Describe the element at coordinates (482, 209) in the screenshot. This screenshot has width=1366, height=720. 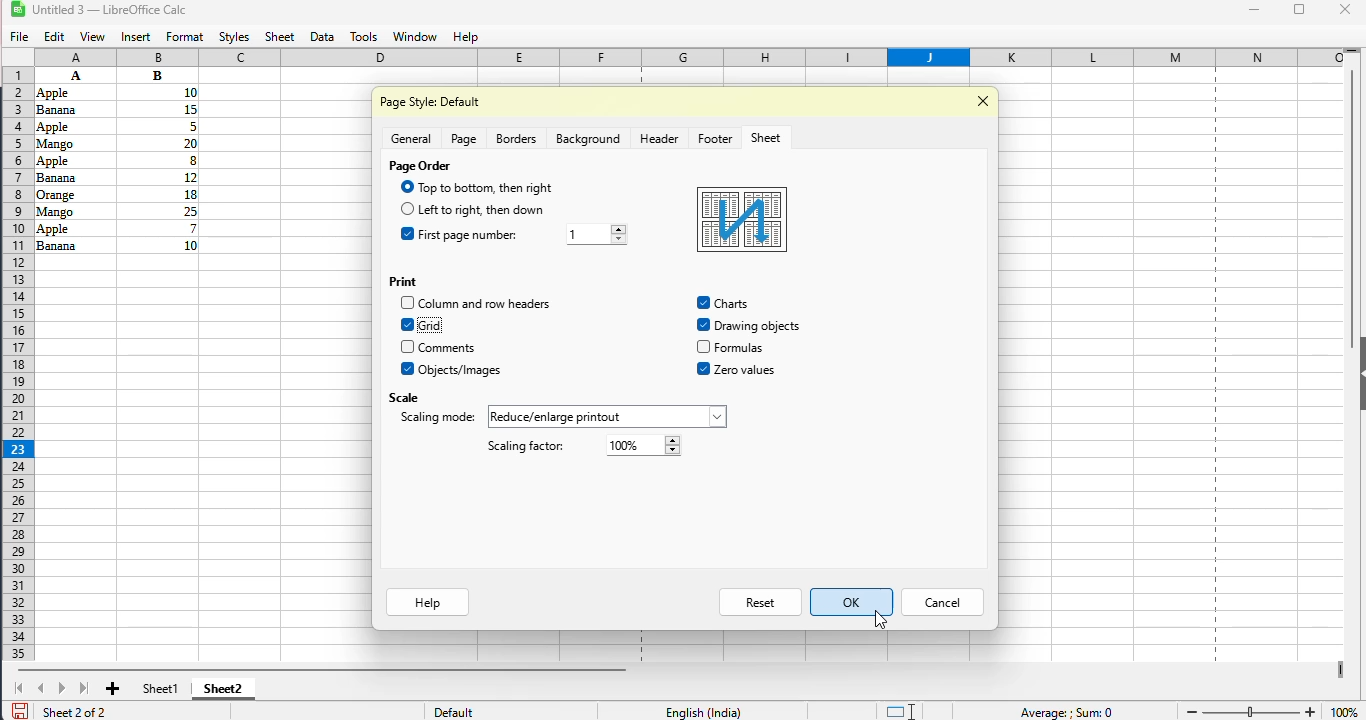
I see `left to right, then down` at that location.